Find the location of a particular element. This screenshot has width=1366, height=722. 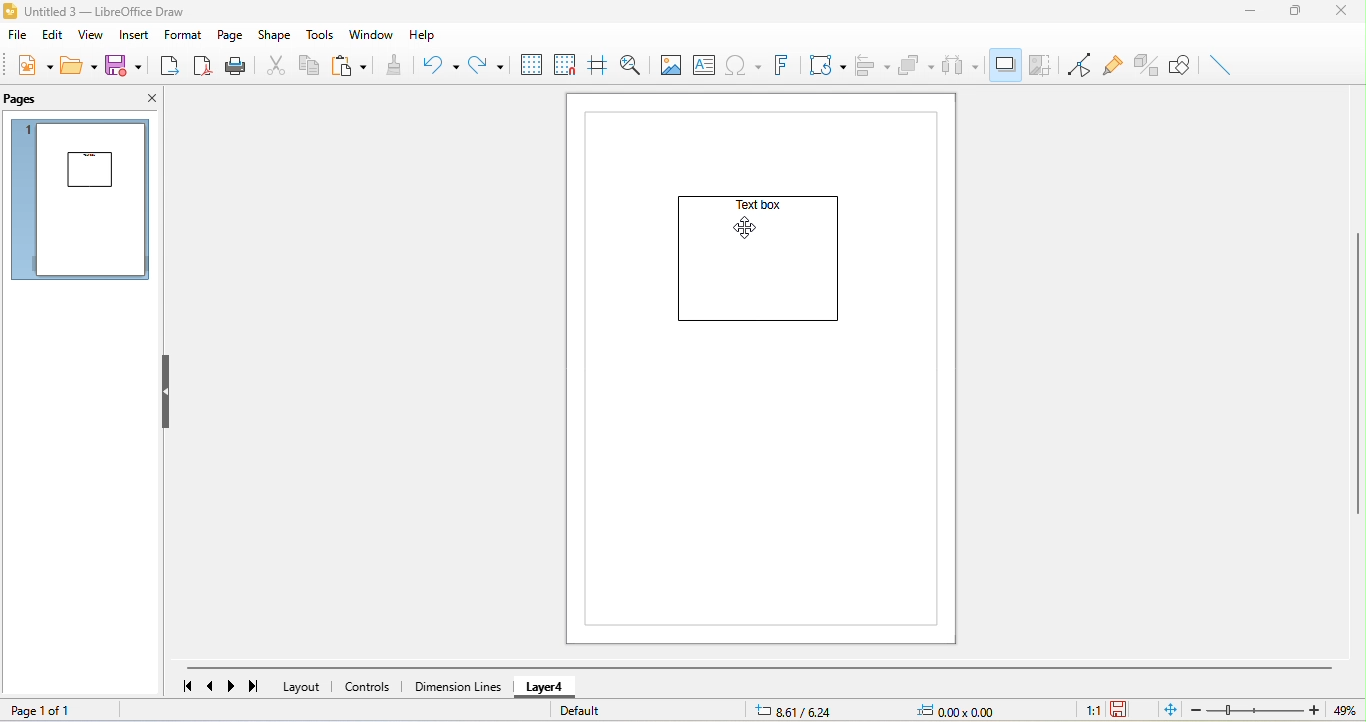

zoom is located at coordinates (1277, 709).